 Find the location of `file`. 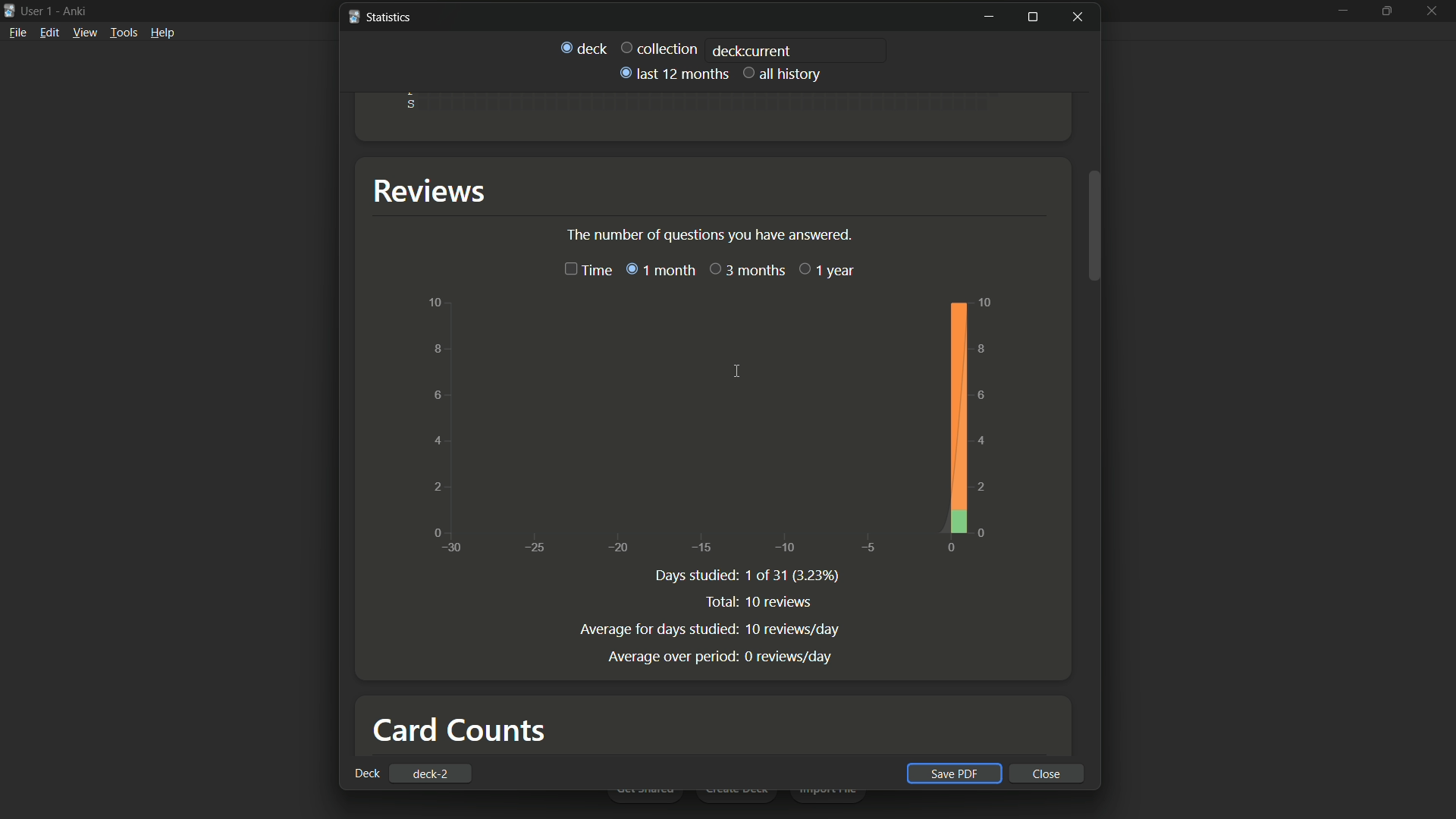

file is located at coordinates (17, 35).